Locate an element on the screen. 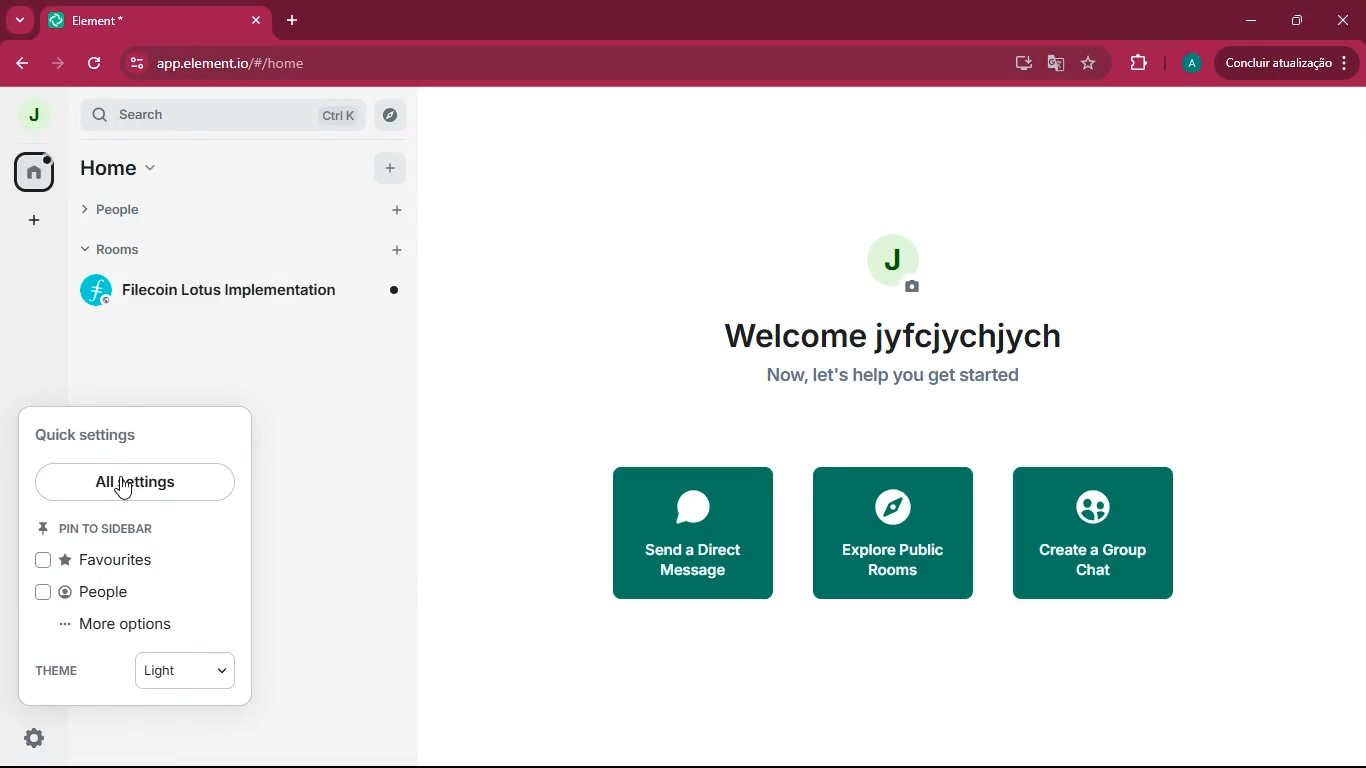 The width and height of the screenshot is (1366, 768). Welcome jyfcjychjych is located at coordinates (892, 337).